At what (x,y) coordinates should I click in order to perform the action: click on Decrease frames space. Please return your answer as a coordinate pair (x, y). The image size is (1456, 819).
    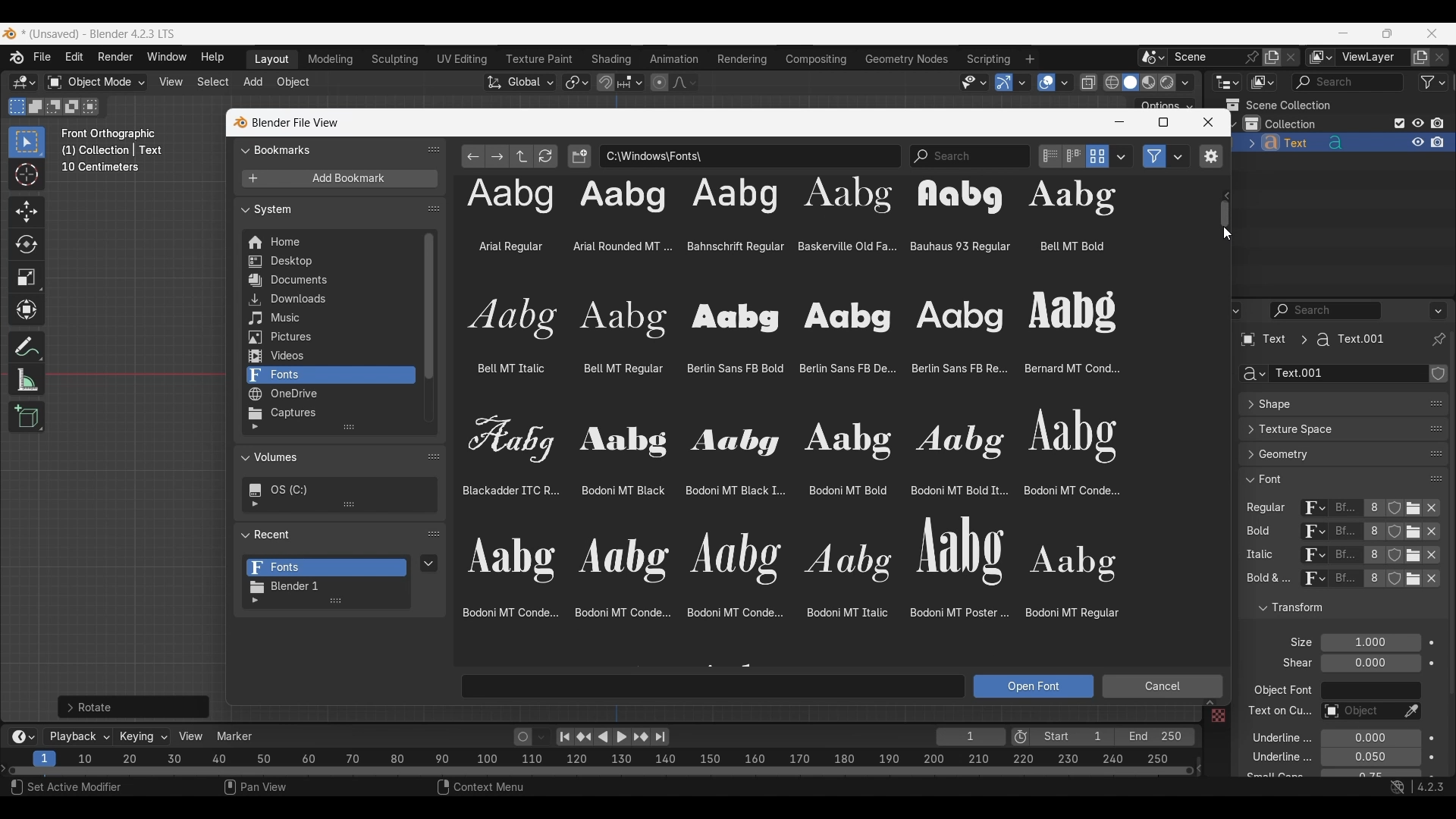
    Looking at the image, I should click on (1200, 767).